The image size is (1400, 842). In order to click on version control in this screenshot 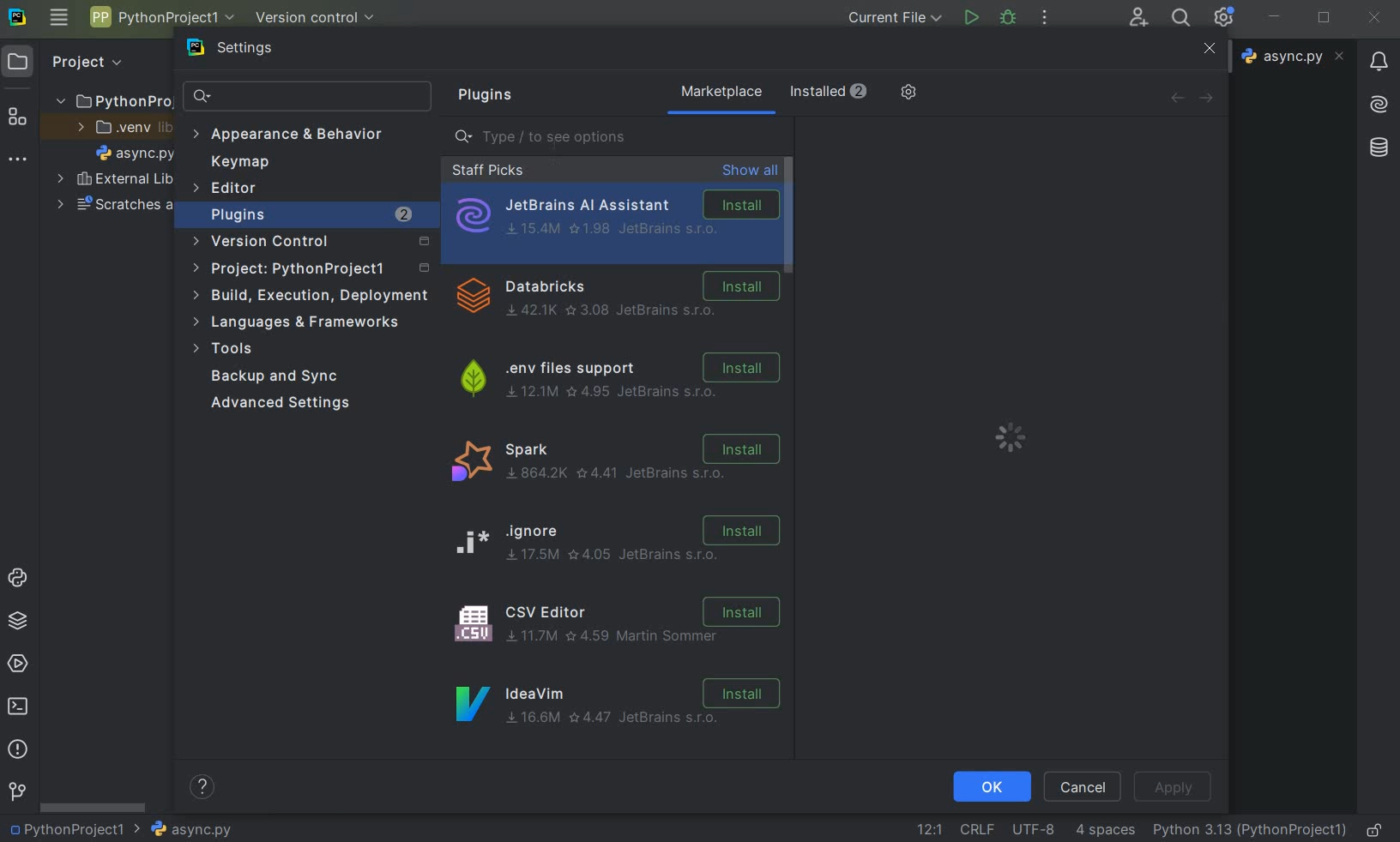, I will do `click(316, 18)`.